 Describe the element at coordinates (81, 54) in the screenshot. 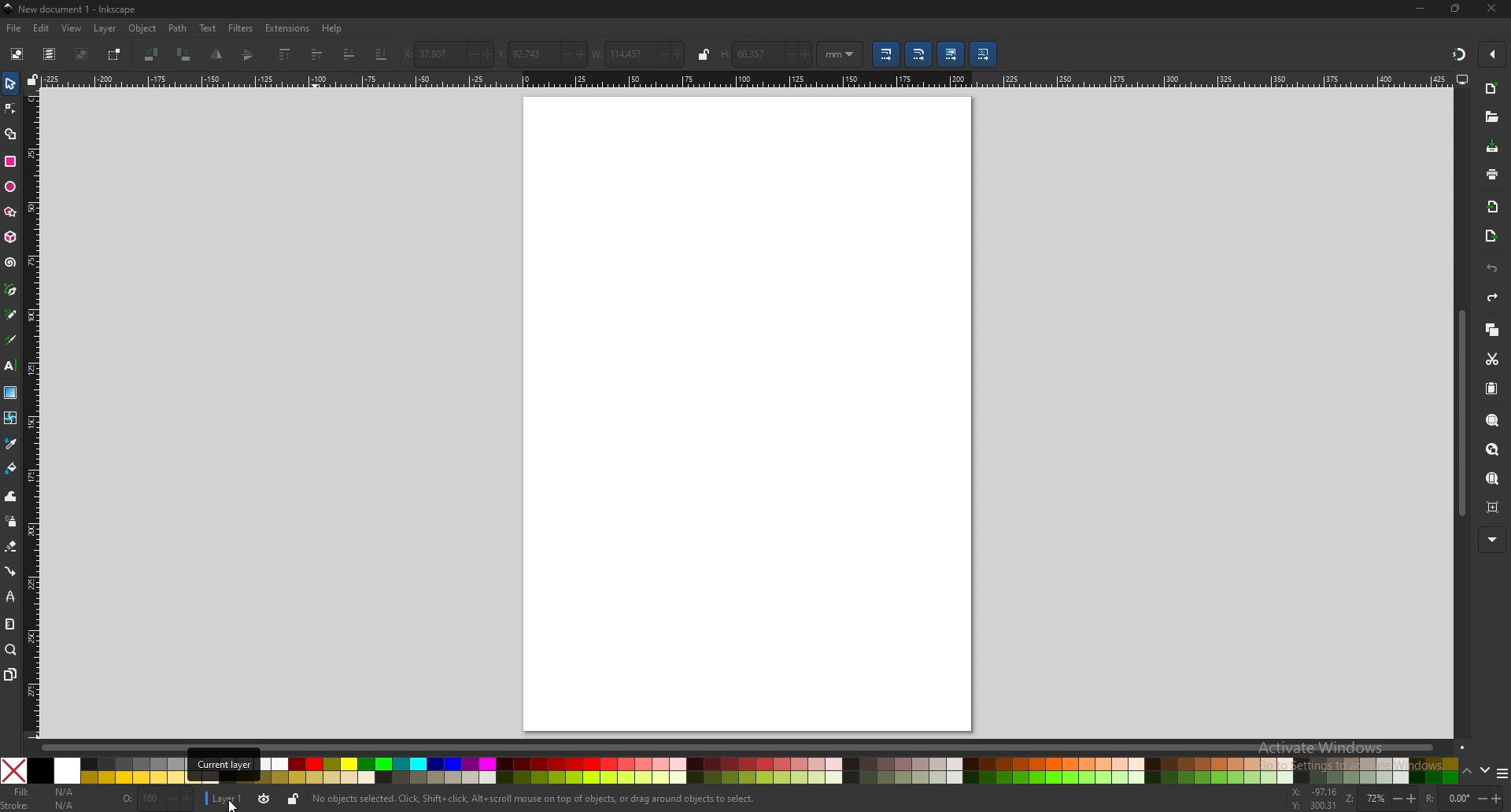

I see `deselect` at that location.